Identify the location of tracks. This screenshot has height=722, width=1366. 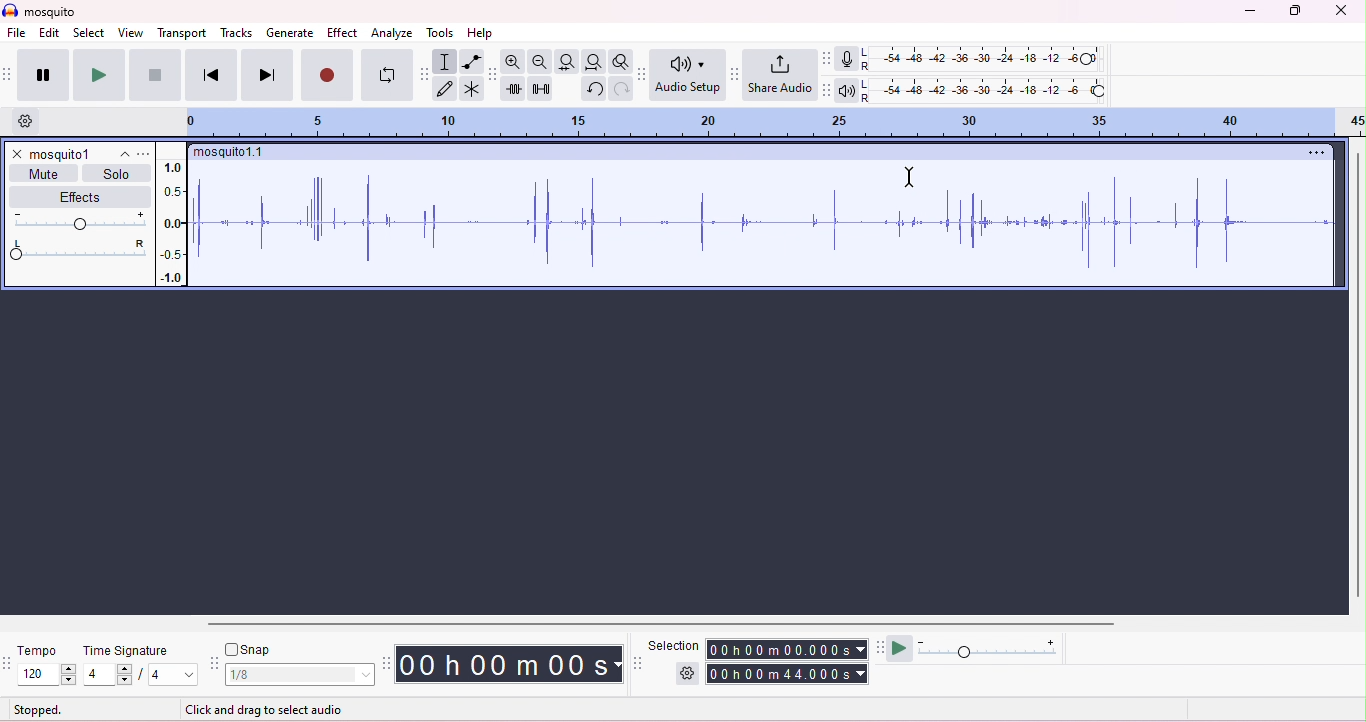
(237, 32).